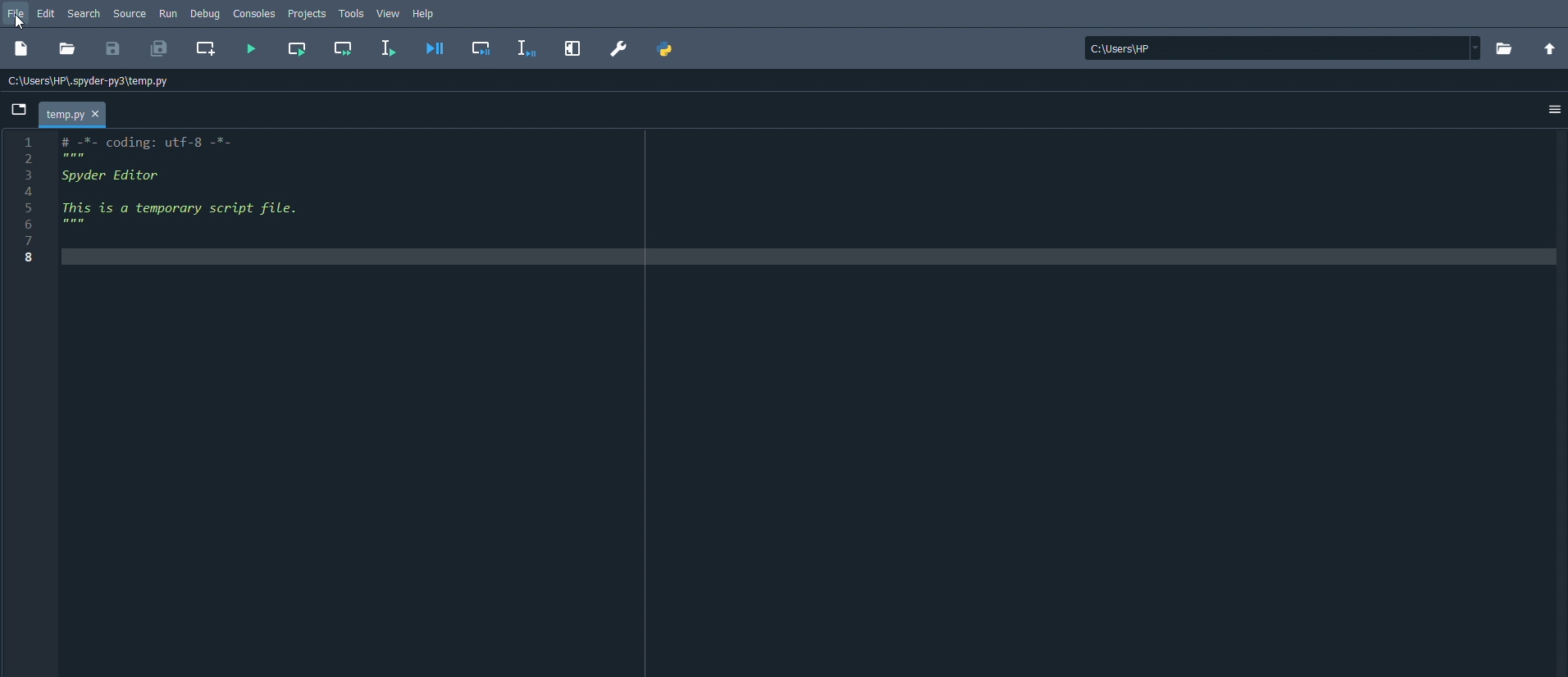 The height and width of the screenshot is (677, 1568). I want to click on Tools, so click(353, 12).